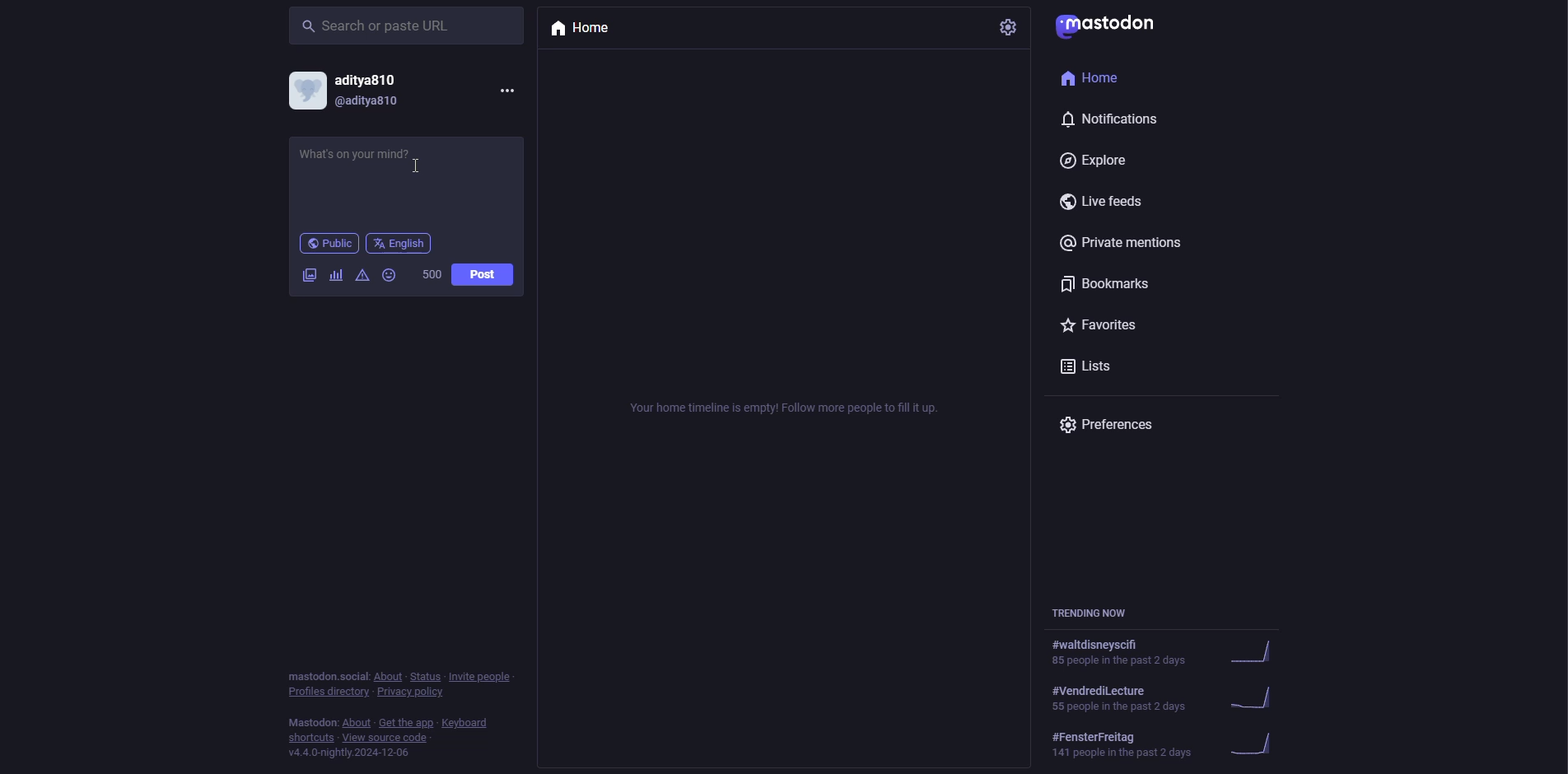 The width and height of the screenshot is (1568, 774). What do you see at coordinates (431, 276) in the screenshot?
I see `word` at bounding box center [431, 276].